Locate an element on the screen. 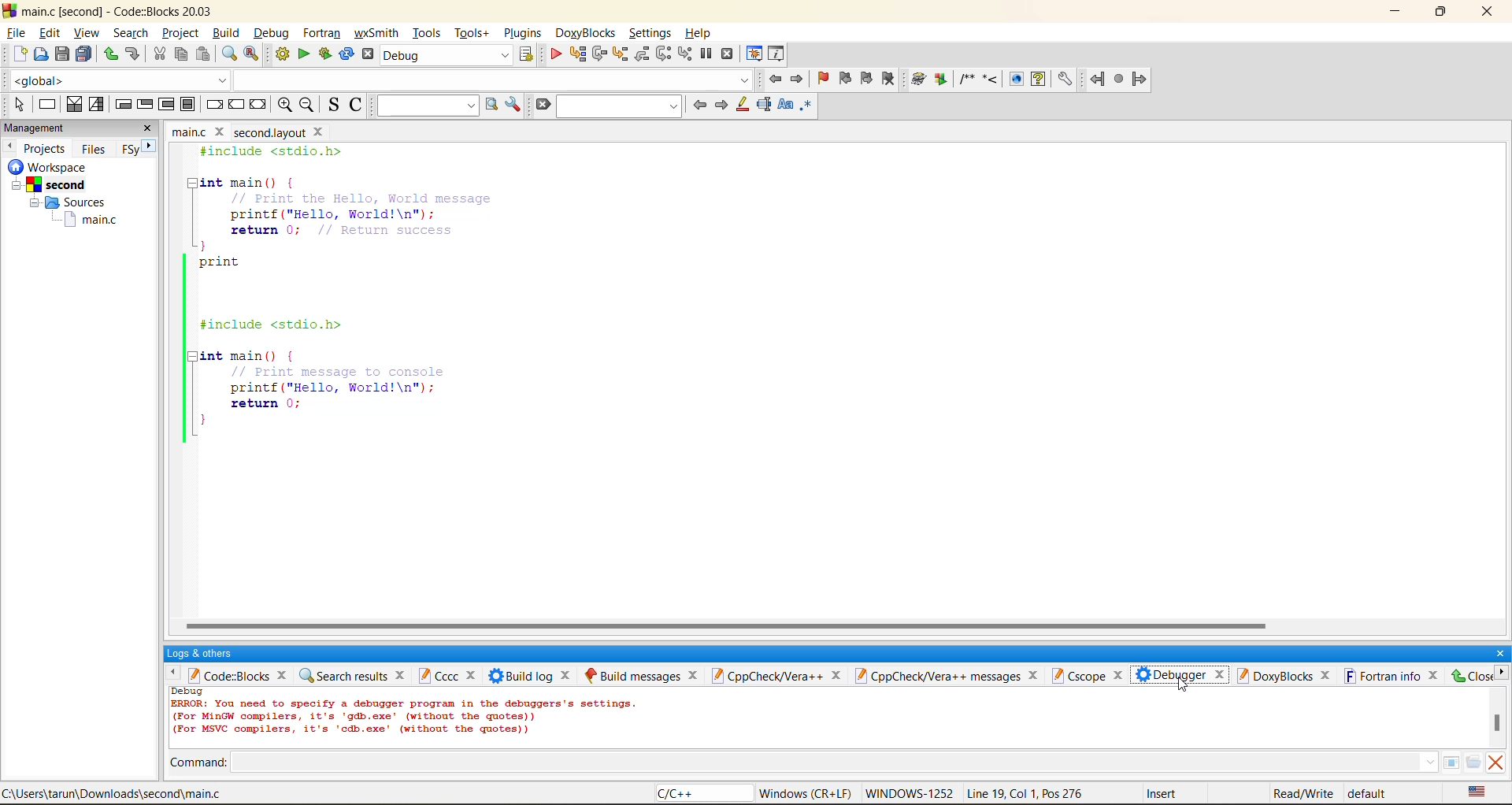  file name is located at coordinates (244, 132).